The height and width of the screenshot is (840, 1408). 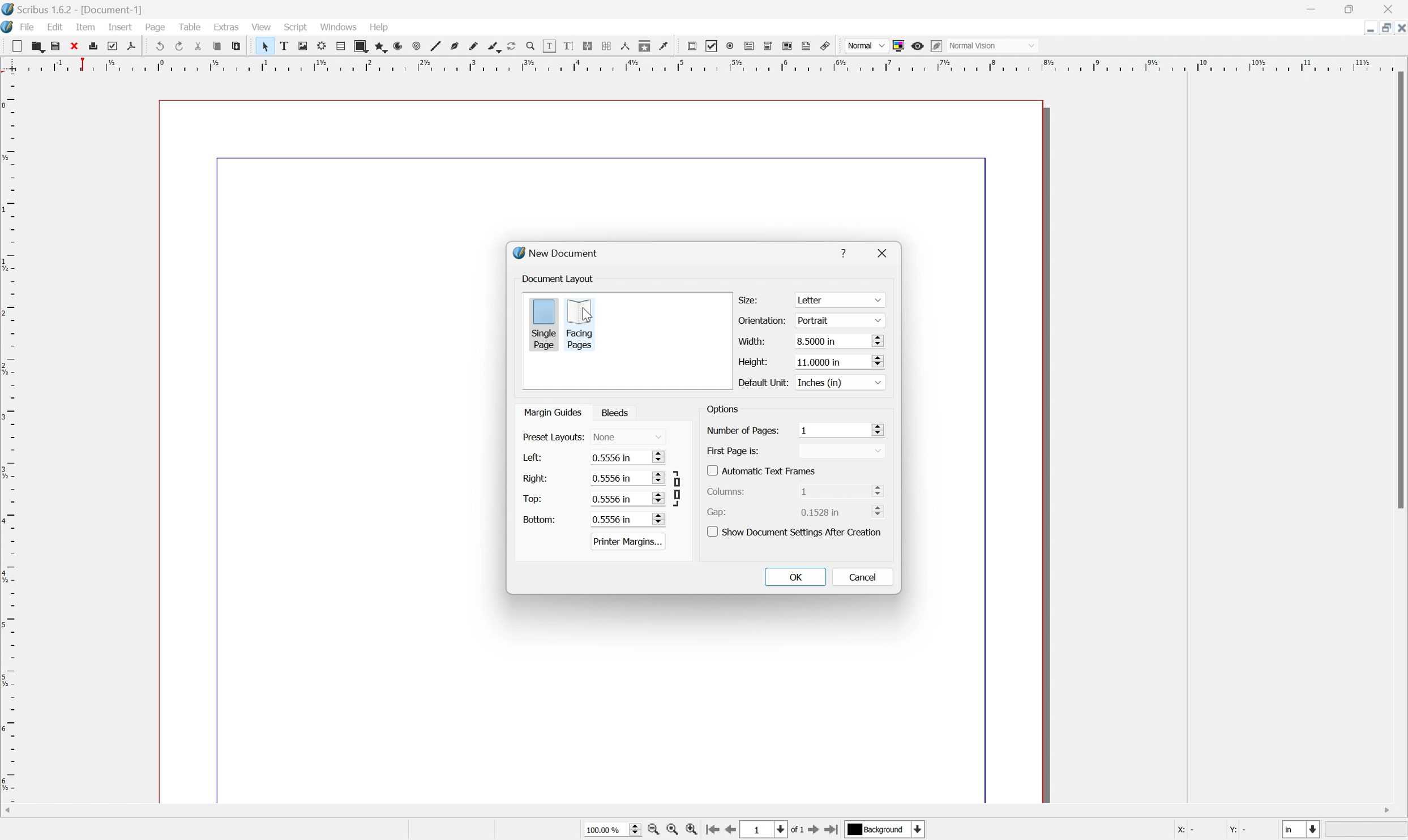 I want to click on 0.5556 in, so click(x=627, y=498).